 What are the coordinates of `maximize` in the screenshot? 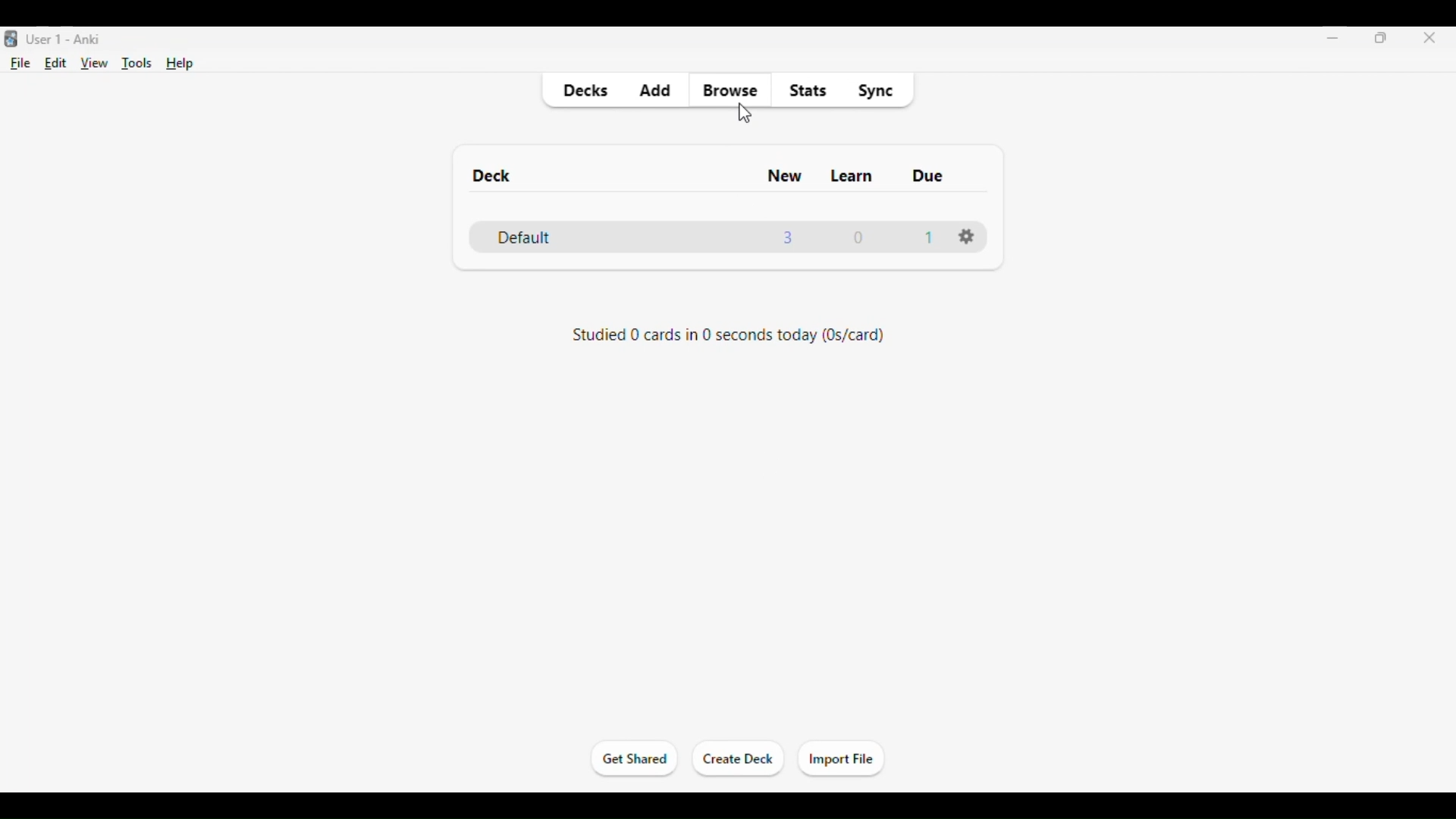 It's located at (1382, 37).